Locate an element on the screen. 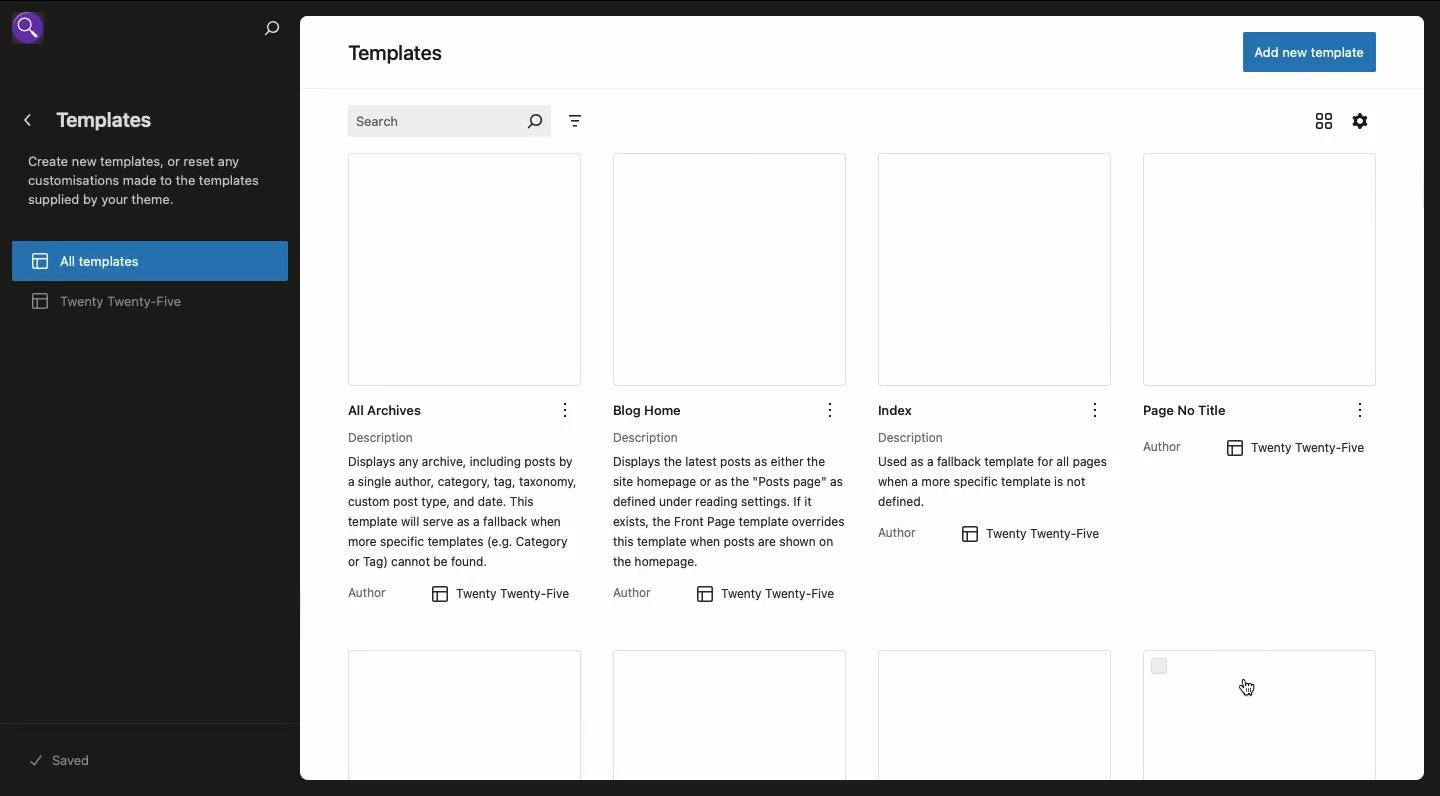 The height and width of the screenshot is (796, 1440). Description Used as a fallback template for all pages‘ when a more specific template is not defined. is located at coordinates (990, 468).